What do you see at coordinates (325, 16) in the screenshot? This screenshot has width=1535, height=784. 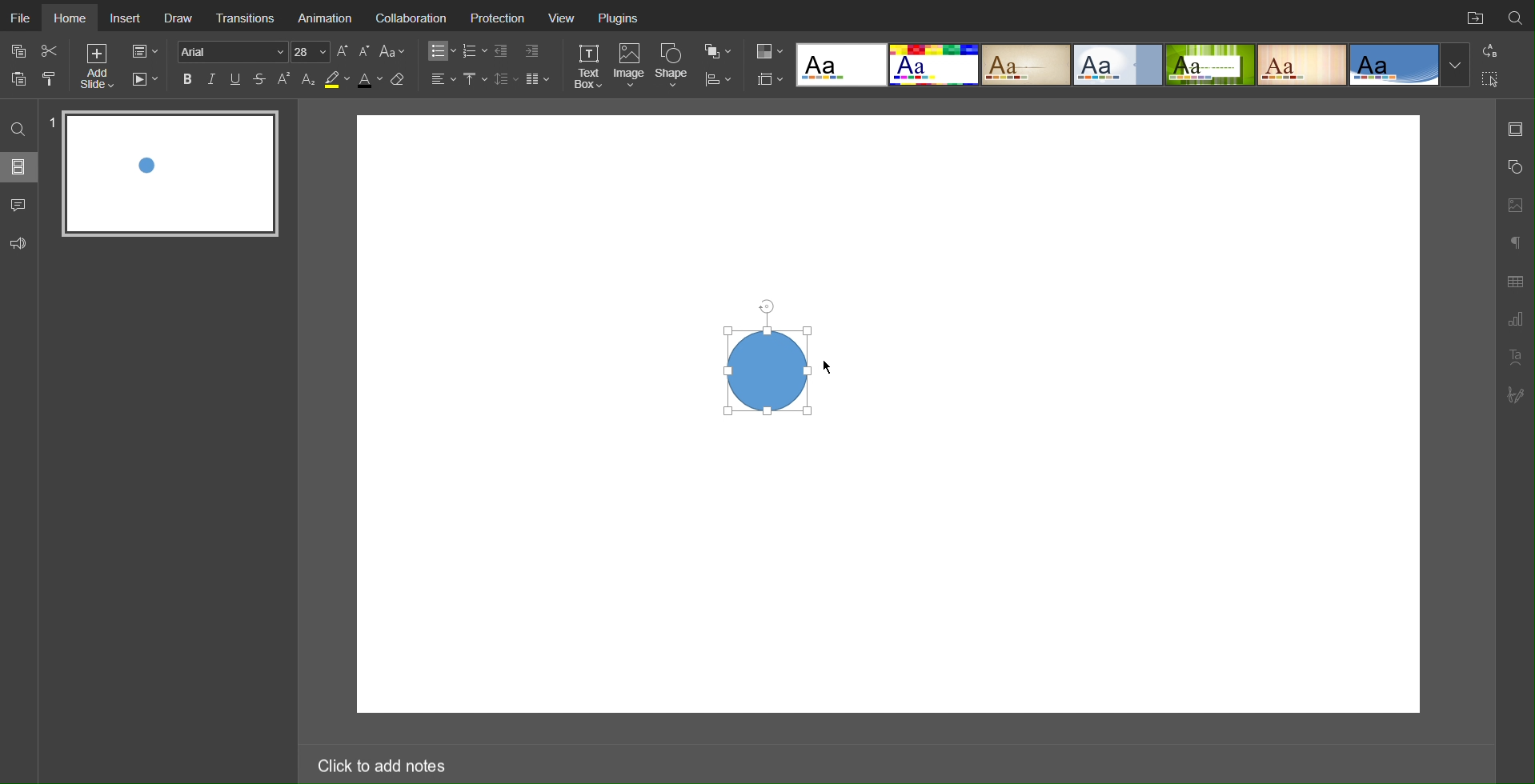 I see `Animation` at bounding box center [325, 16].